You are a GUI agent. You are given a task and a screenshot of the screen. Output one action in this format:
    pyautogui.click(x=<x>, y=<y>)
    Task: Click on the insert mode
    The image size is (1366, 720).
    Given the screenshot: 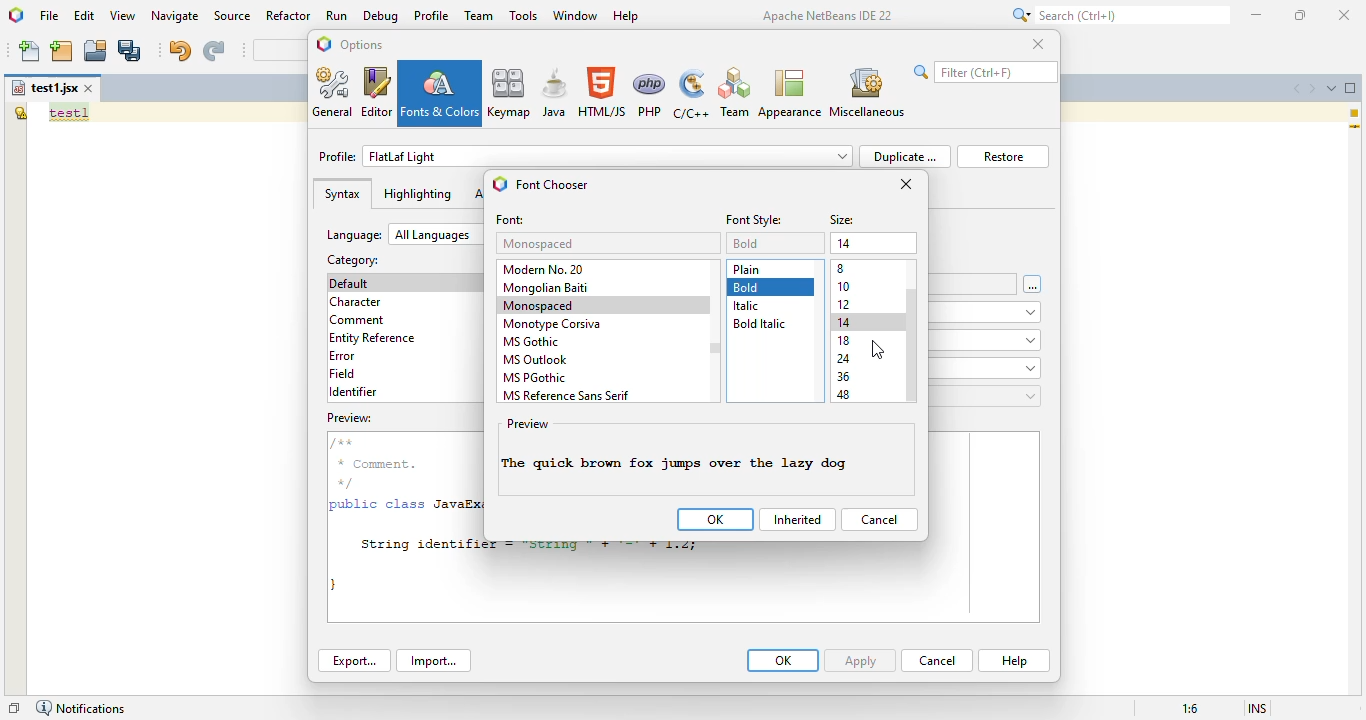 What is the action you would take?
    pyautogui.click(x=1258, y=709)
    